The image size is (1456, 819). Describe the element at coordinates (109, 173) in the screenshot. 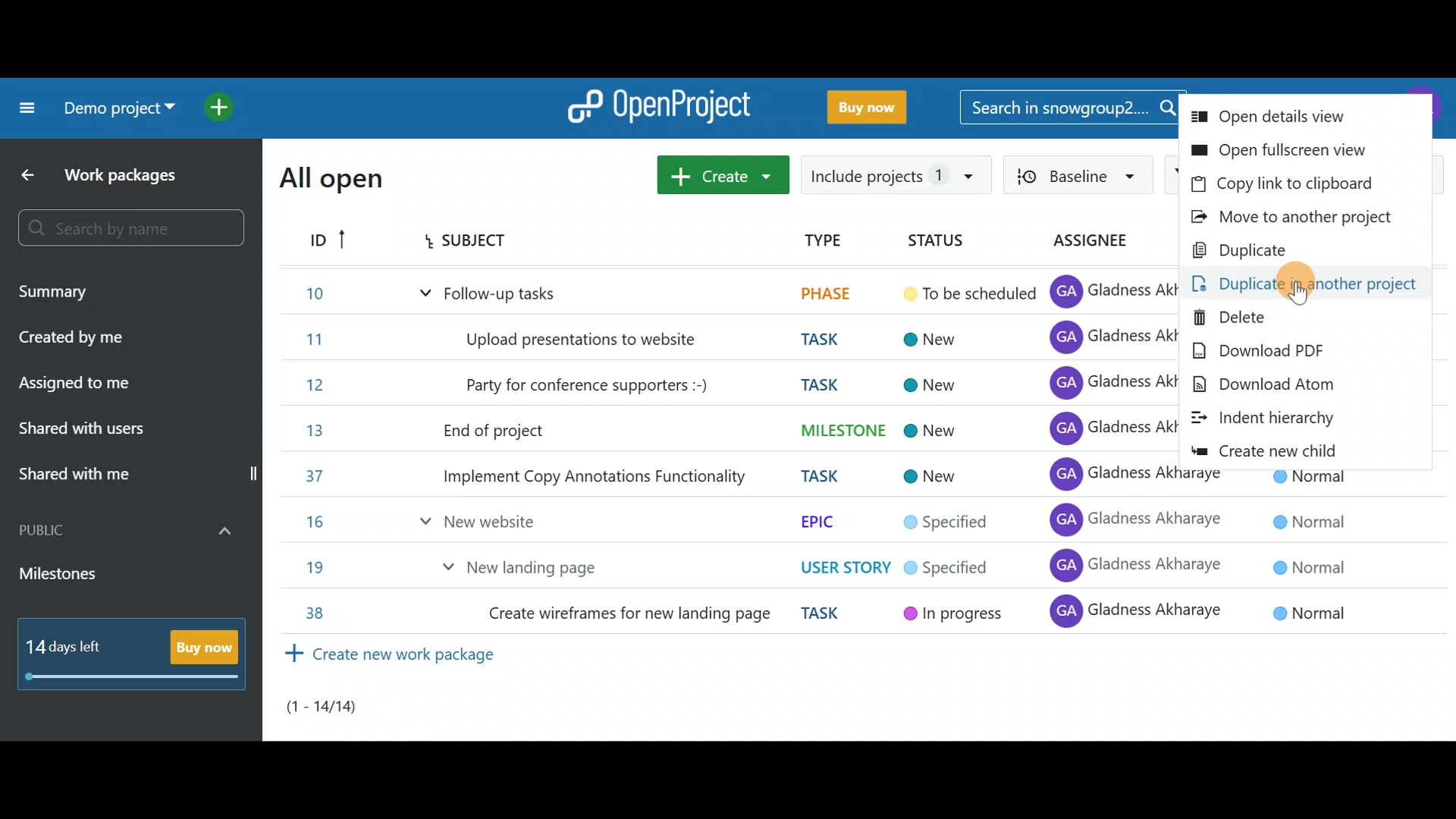

I see `Work packages` at that location.